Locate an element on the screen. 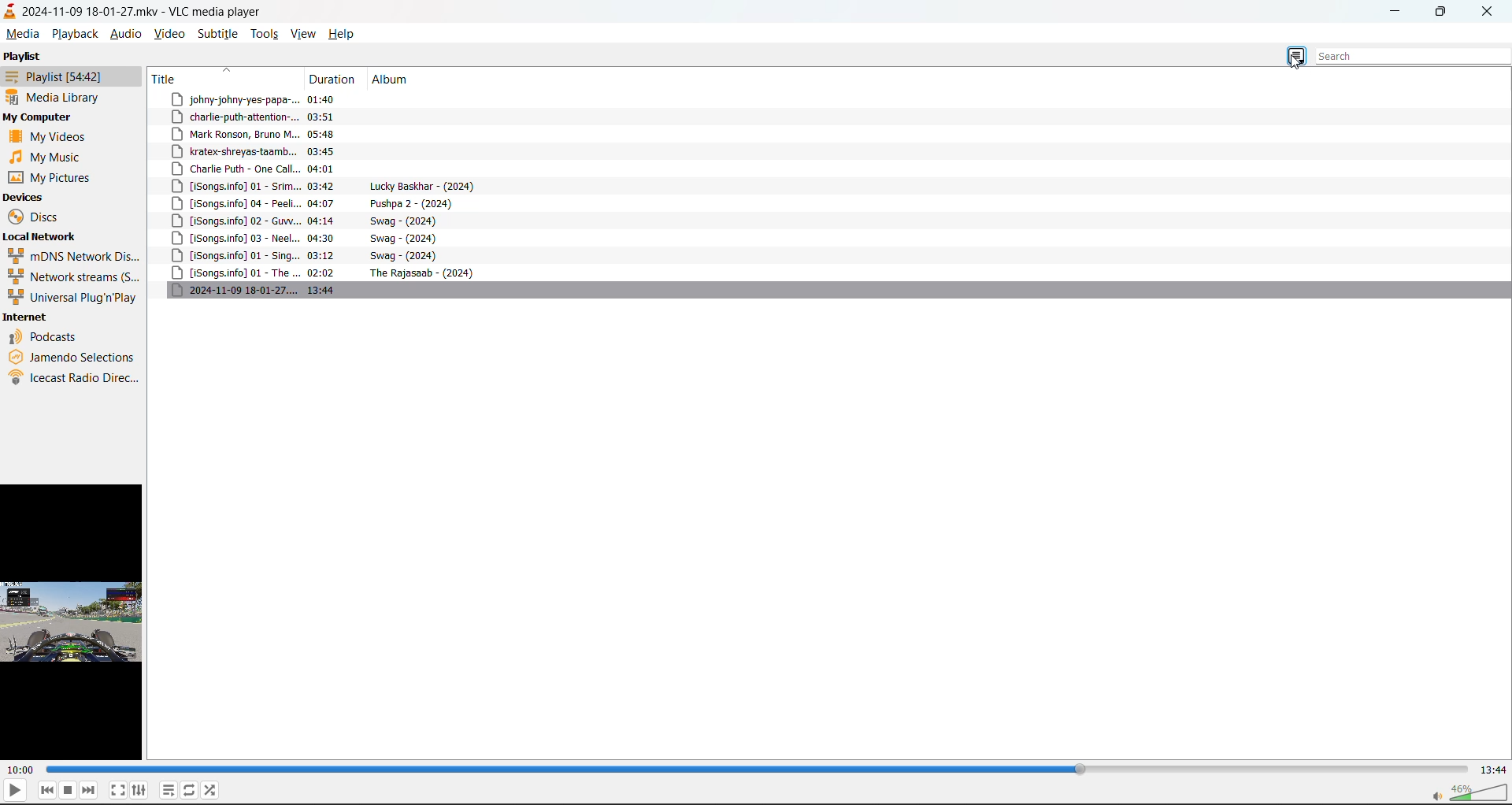 Image resolution: width=1512 pixels, height=805 pixels. play is located at coordinates (15, 791).